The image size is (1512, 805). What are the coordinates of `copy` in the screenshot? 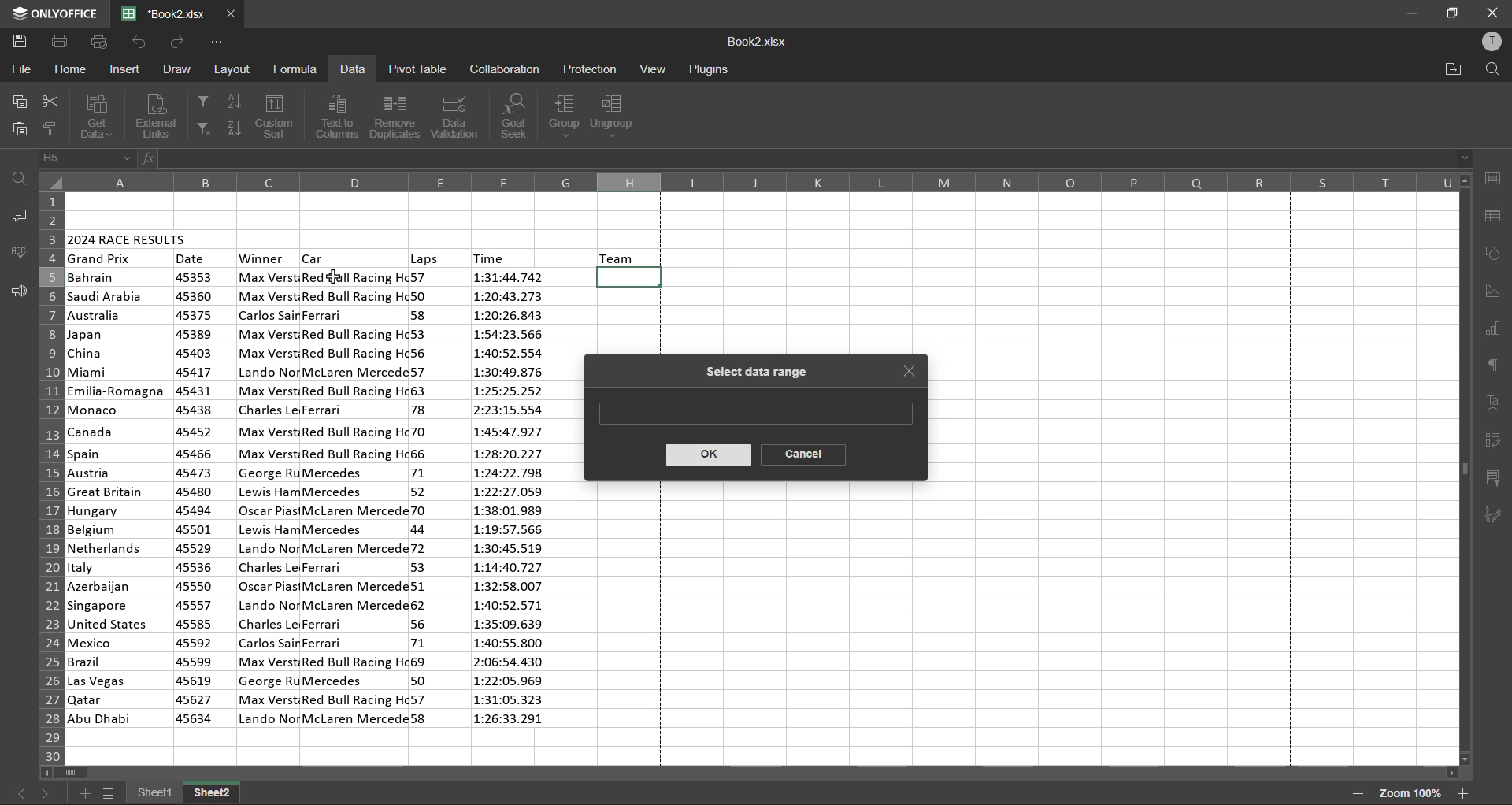 It's located at (22, 102).